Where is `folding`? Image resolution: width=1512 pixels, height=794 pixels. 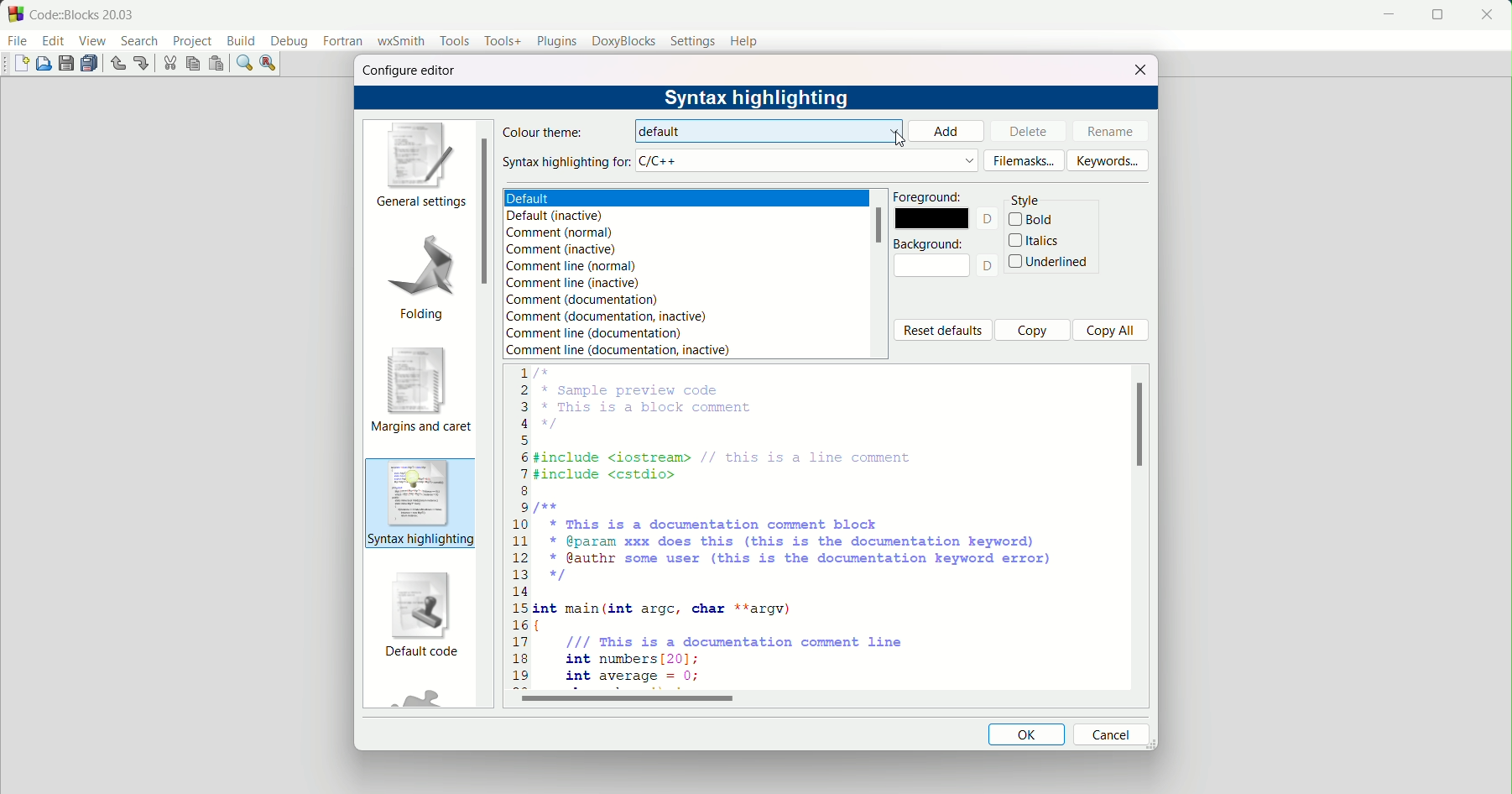
folding is located at coordinates (422, 275).